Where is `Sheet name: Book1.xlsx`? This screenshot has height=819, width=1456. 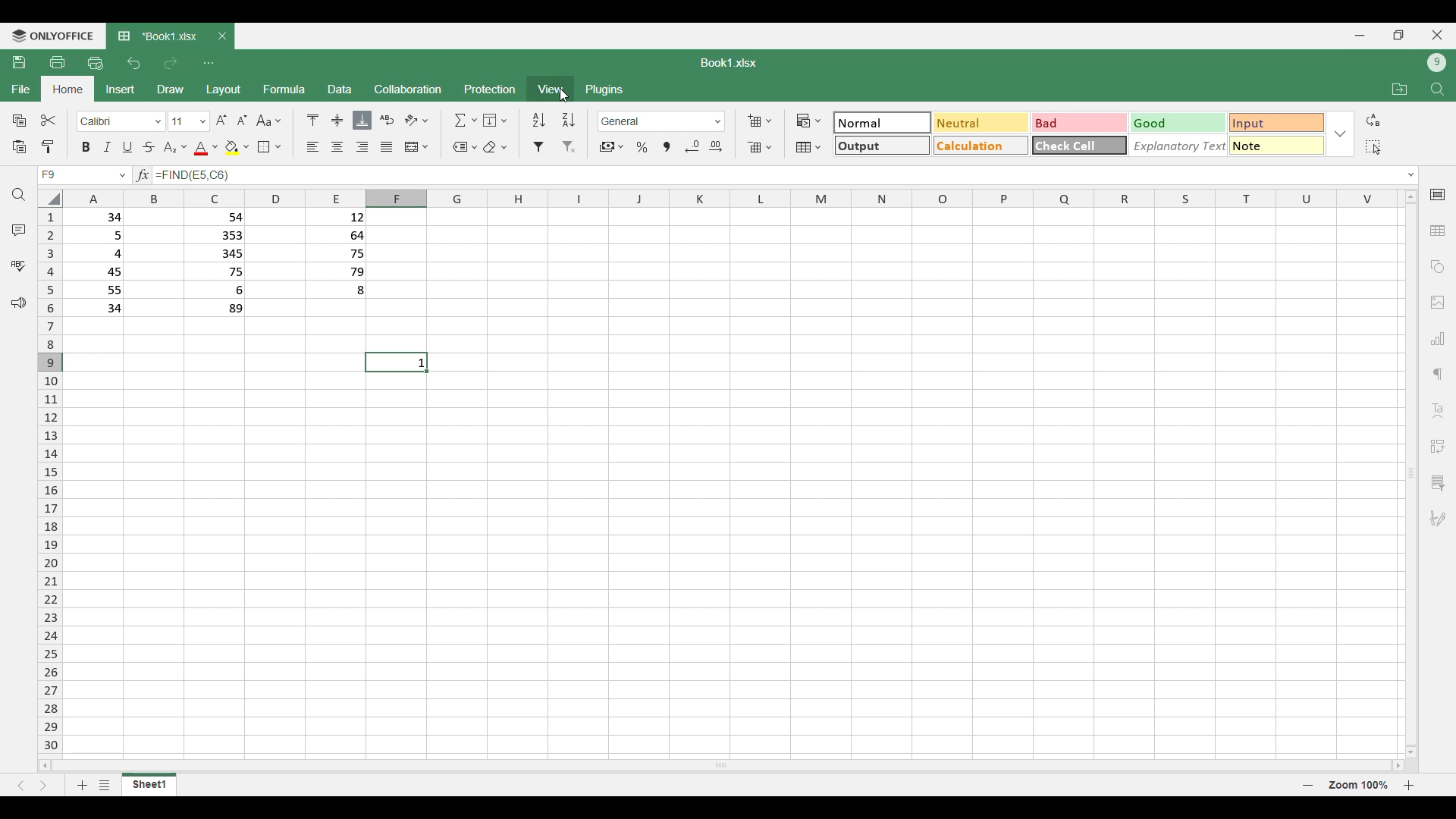 Sheet name: Book1.xlsx is located at coordinates (727, 63).